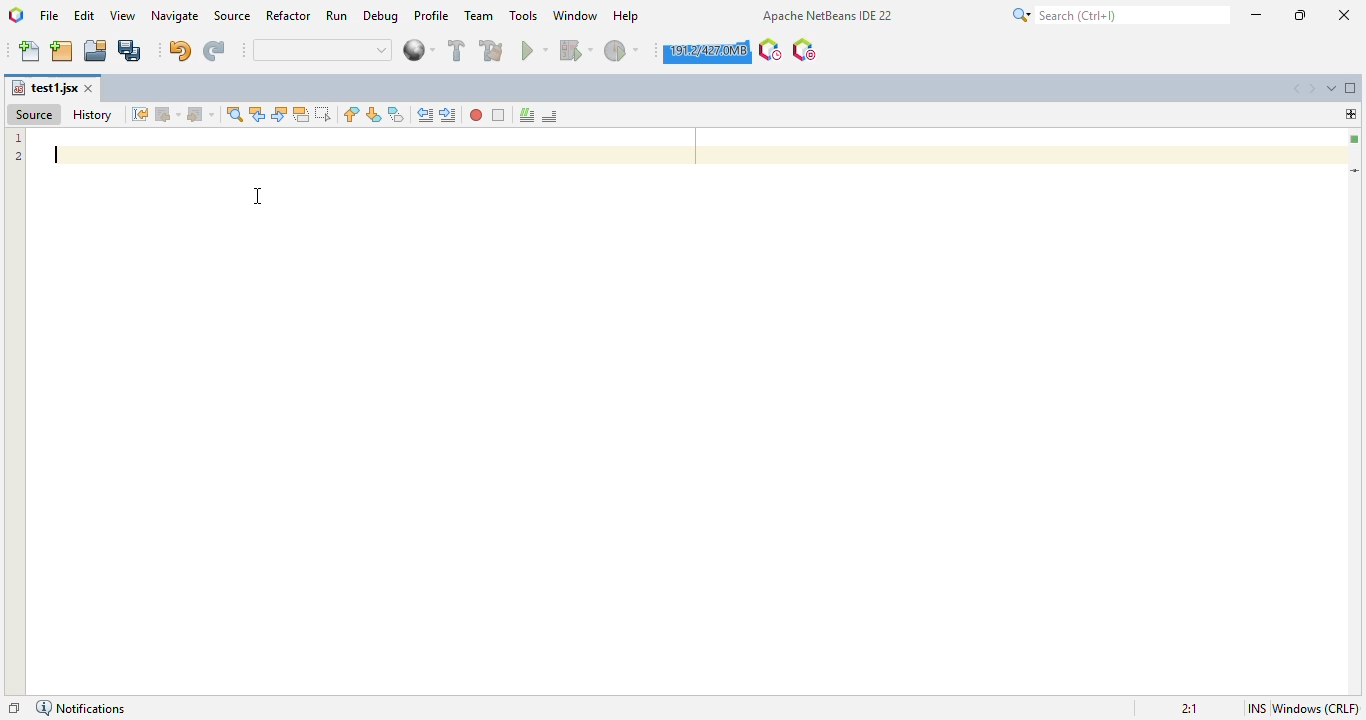 The width and height of the screenshot is (1366, 720). Describe the element at coordinates (623, 51) in the screenshot. I see `profile project` at that location.